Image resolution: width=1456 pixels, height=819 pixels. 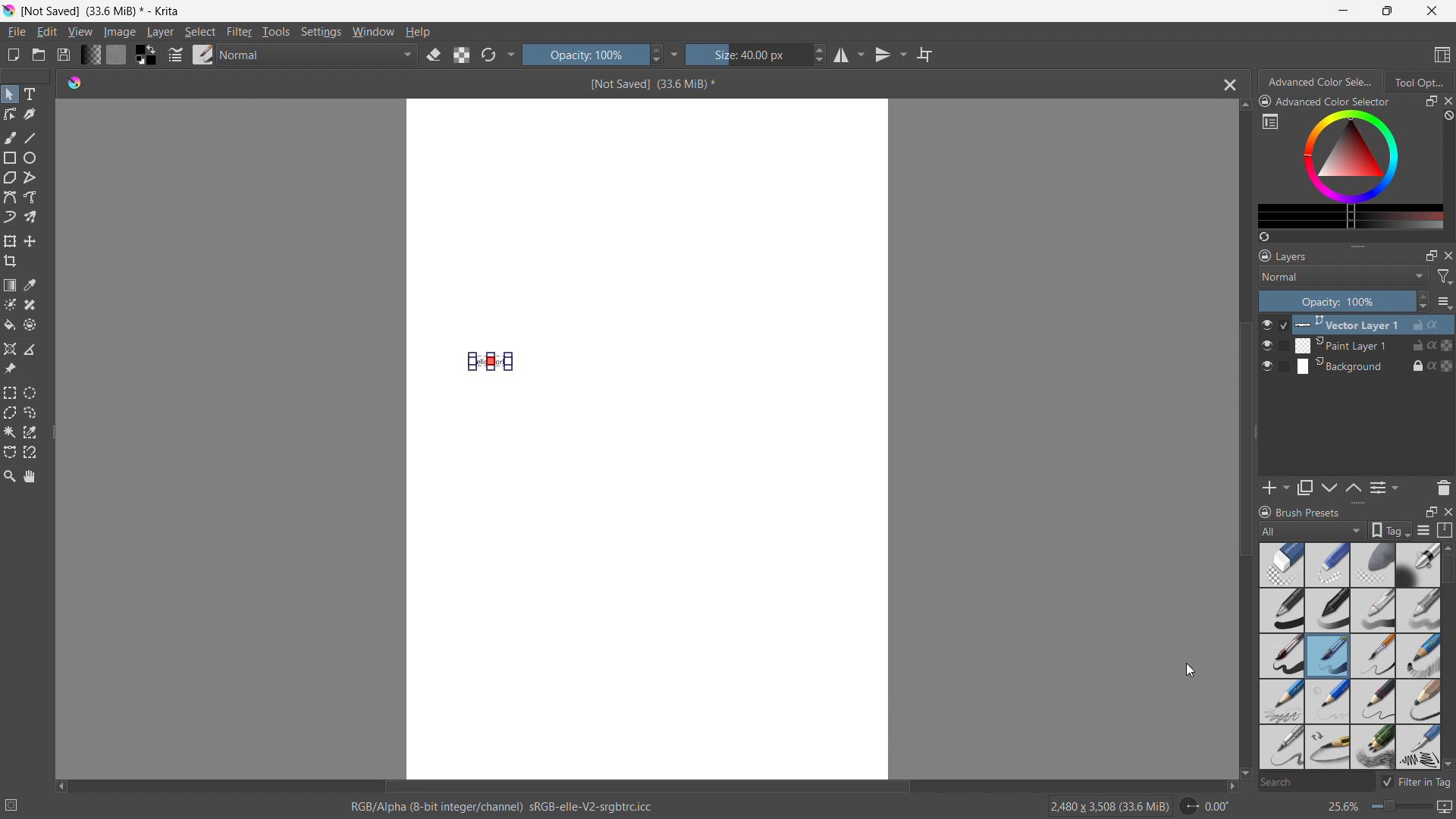 I want to click on blending mode, so click(x=318, y=55).